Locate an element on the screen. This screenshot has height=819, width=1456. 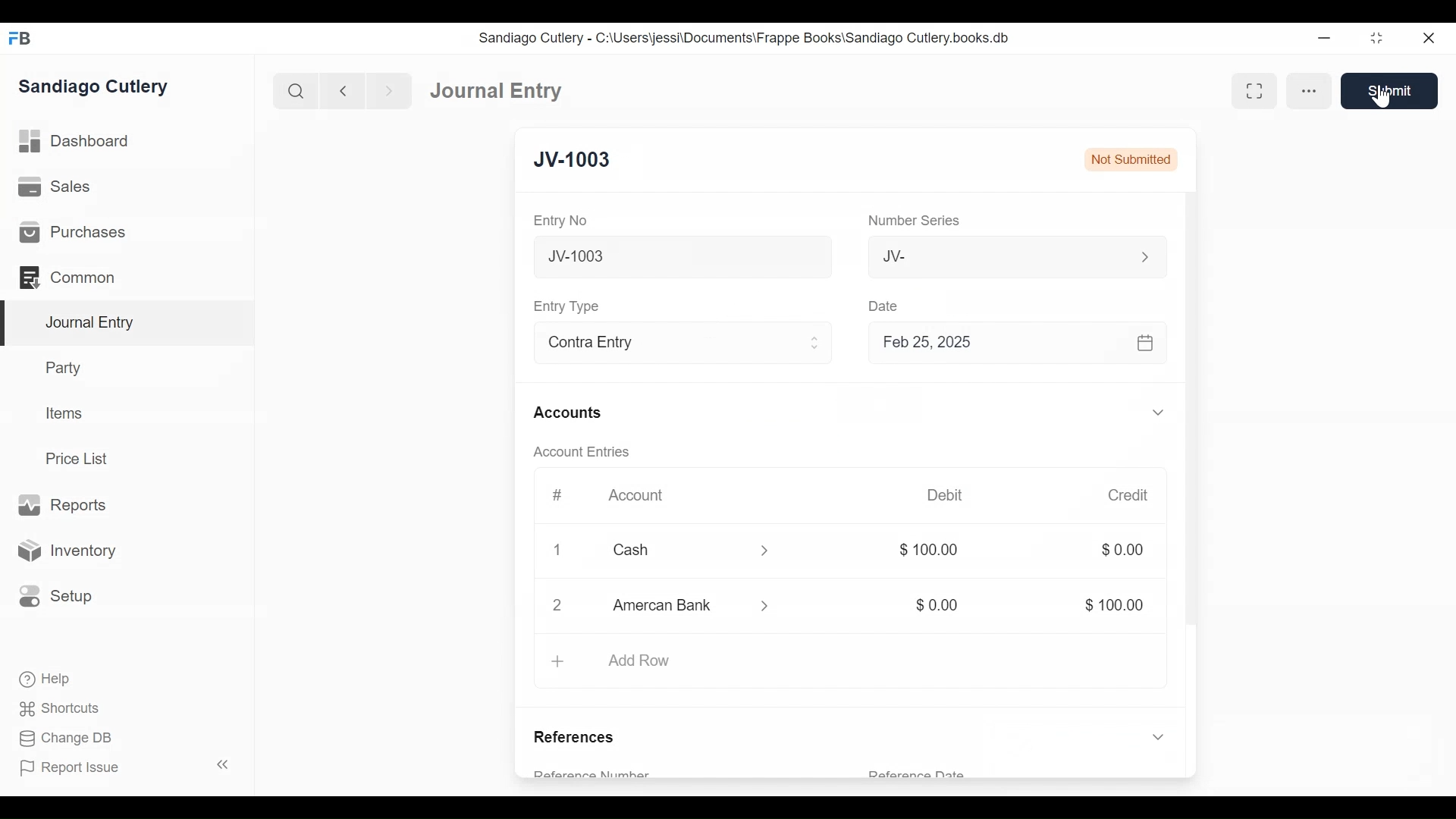
Expand is located at coordinates (816, 345).